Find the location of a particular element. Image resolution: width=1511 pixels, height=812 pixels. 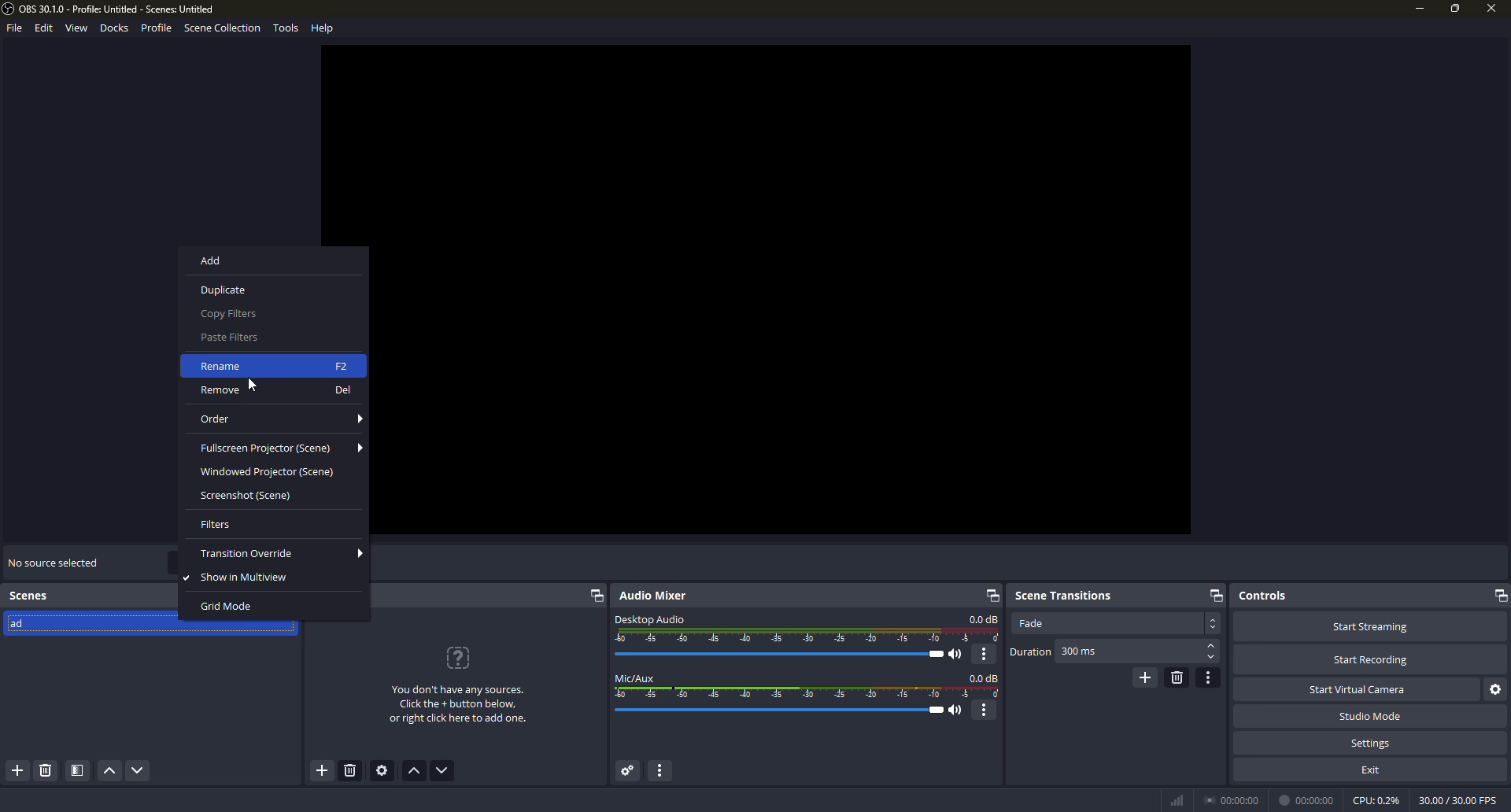

sound level is located at coordinates (783, 710).